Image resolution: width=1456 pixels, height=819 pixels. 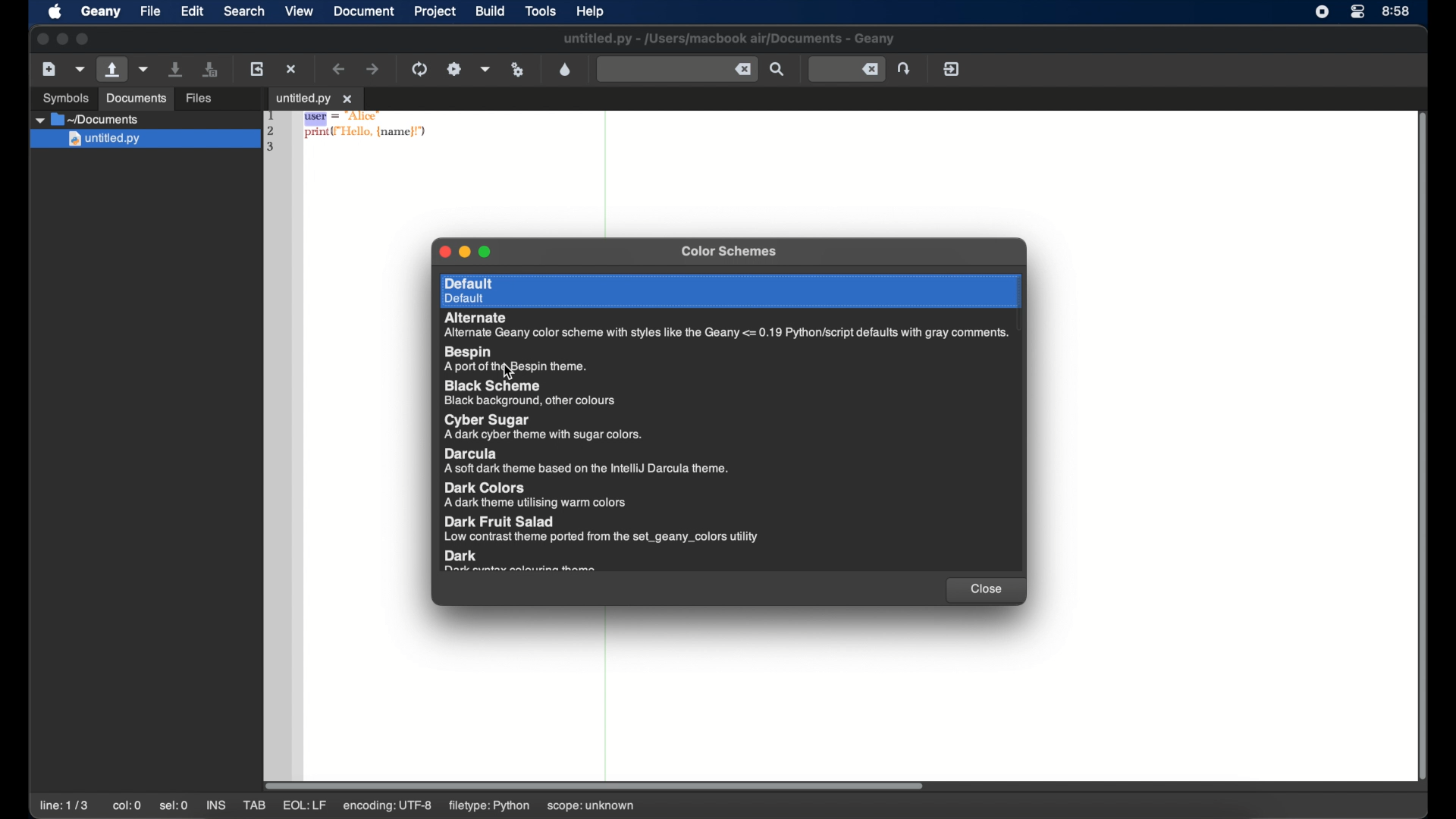 I want to click on color schemes, so click(x=730, y=252).